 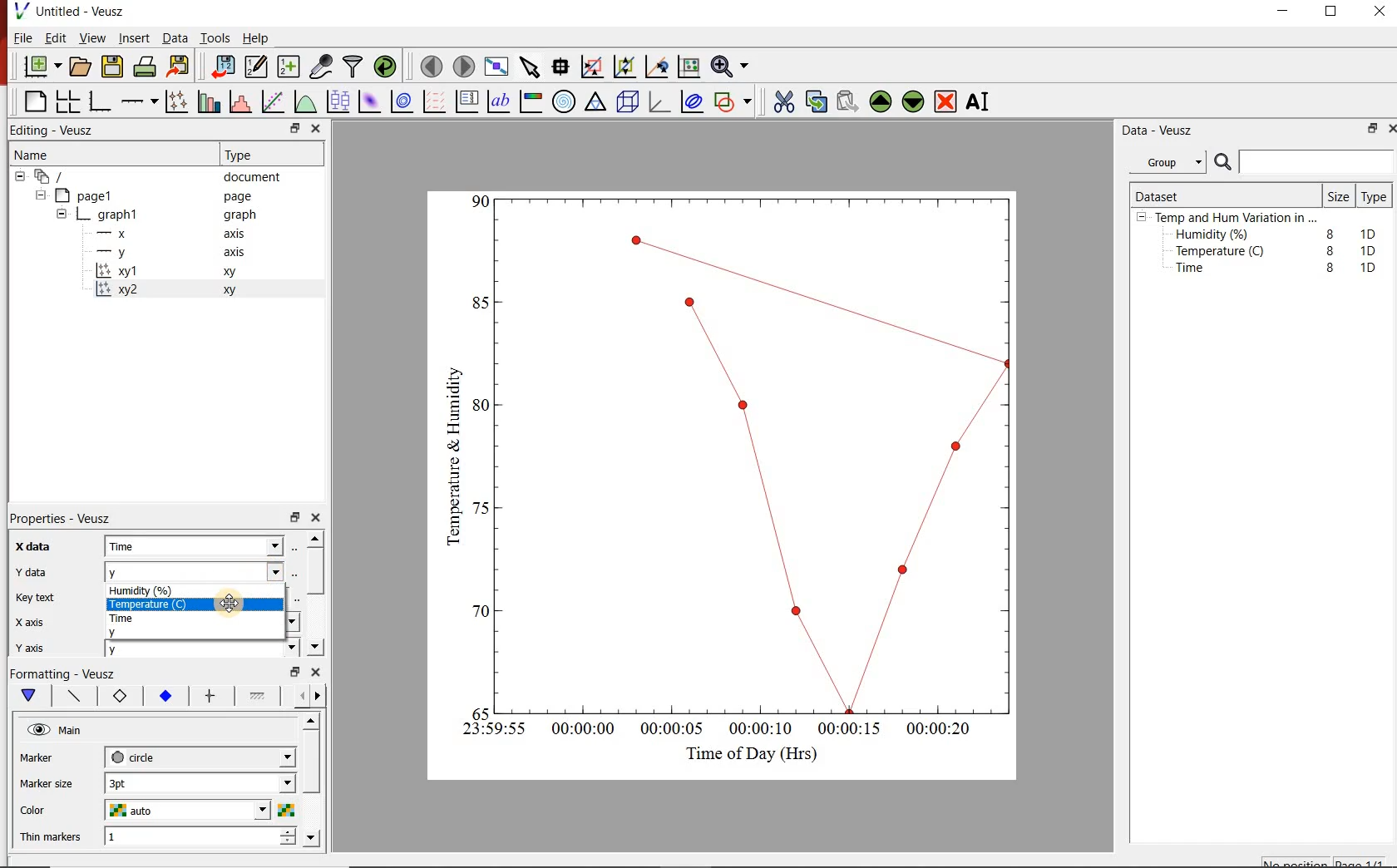 I want to click on document widget, so click(x=59, y=177).